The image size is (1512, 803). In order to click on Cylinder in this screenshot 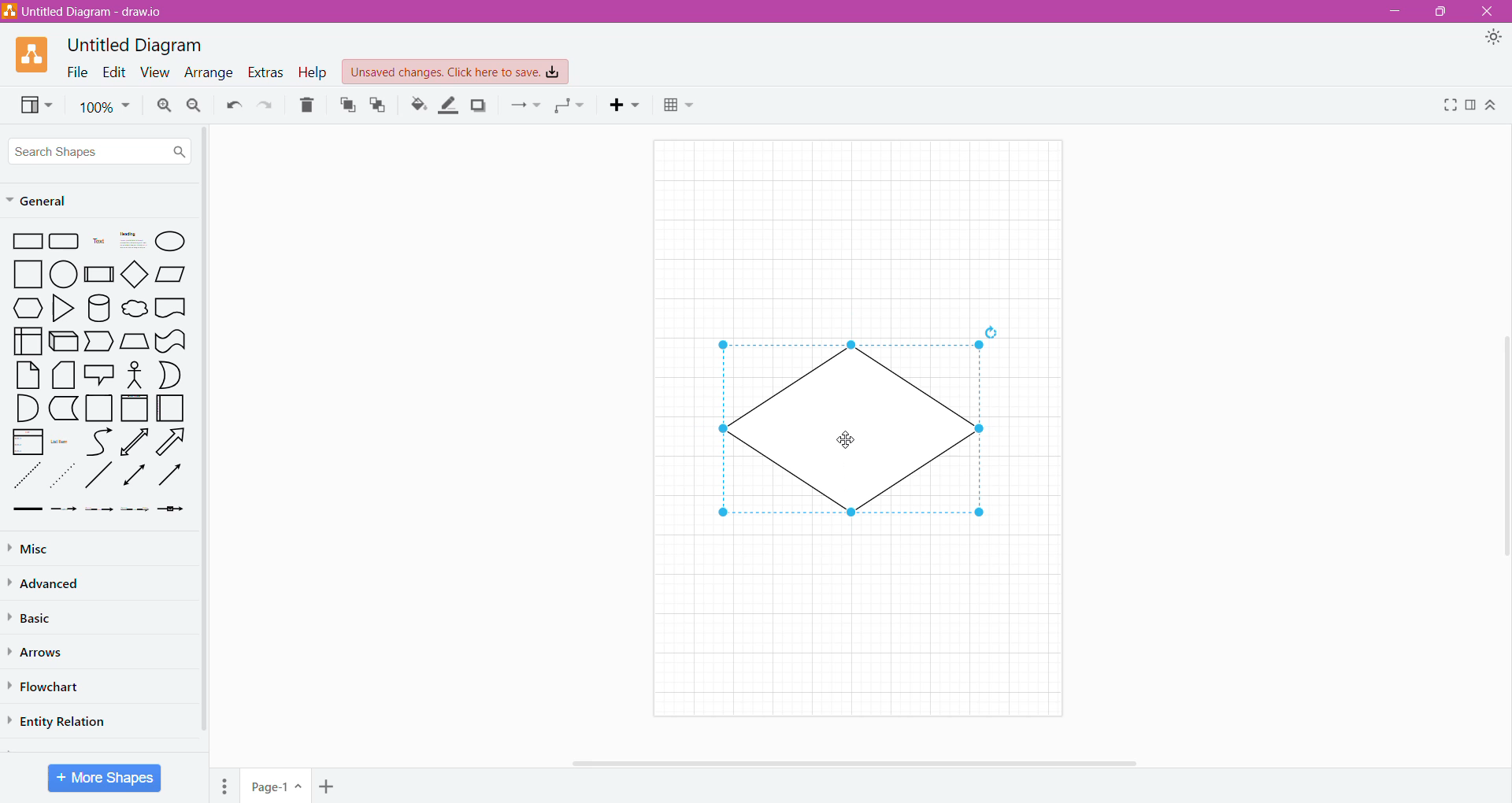, I will do `click(99, 309)`.